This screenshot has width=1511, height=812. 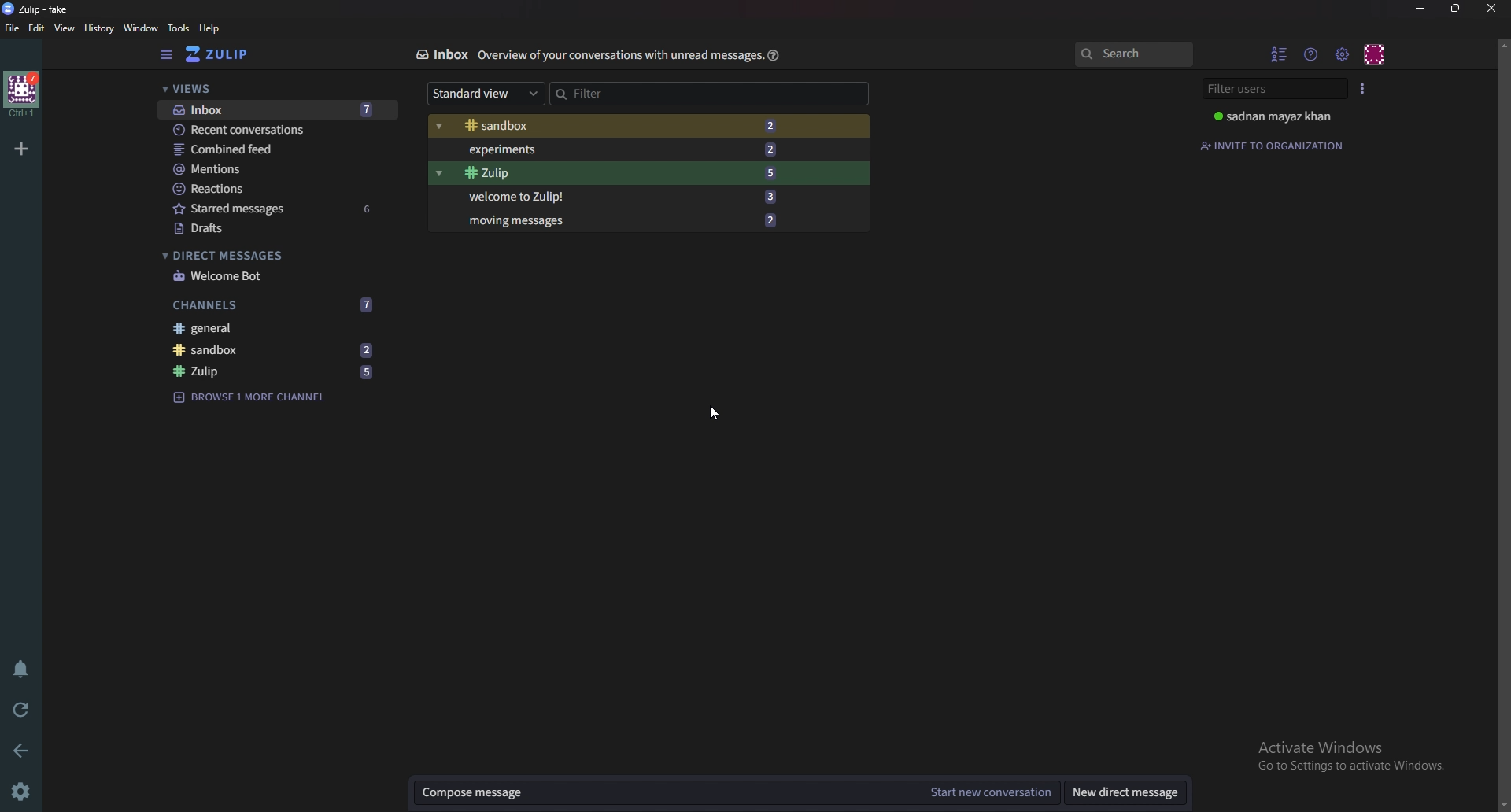 What do you see at coordinates (19, 670) in the screenshot?
I see `Enable do not disturb` at bounding box center [19, 670].